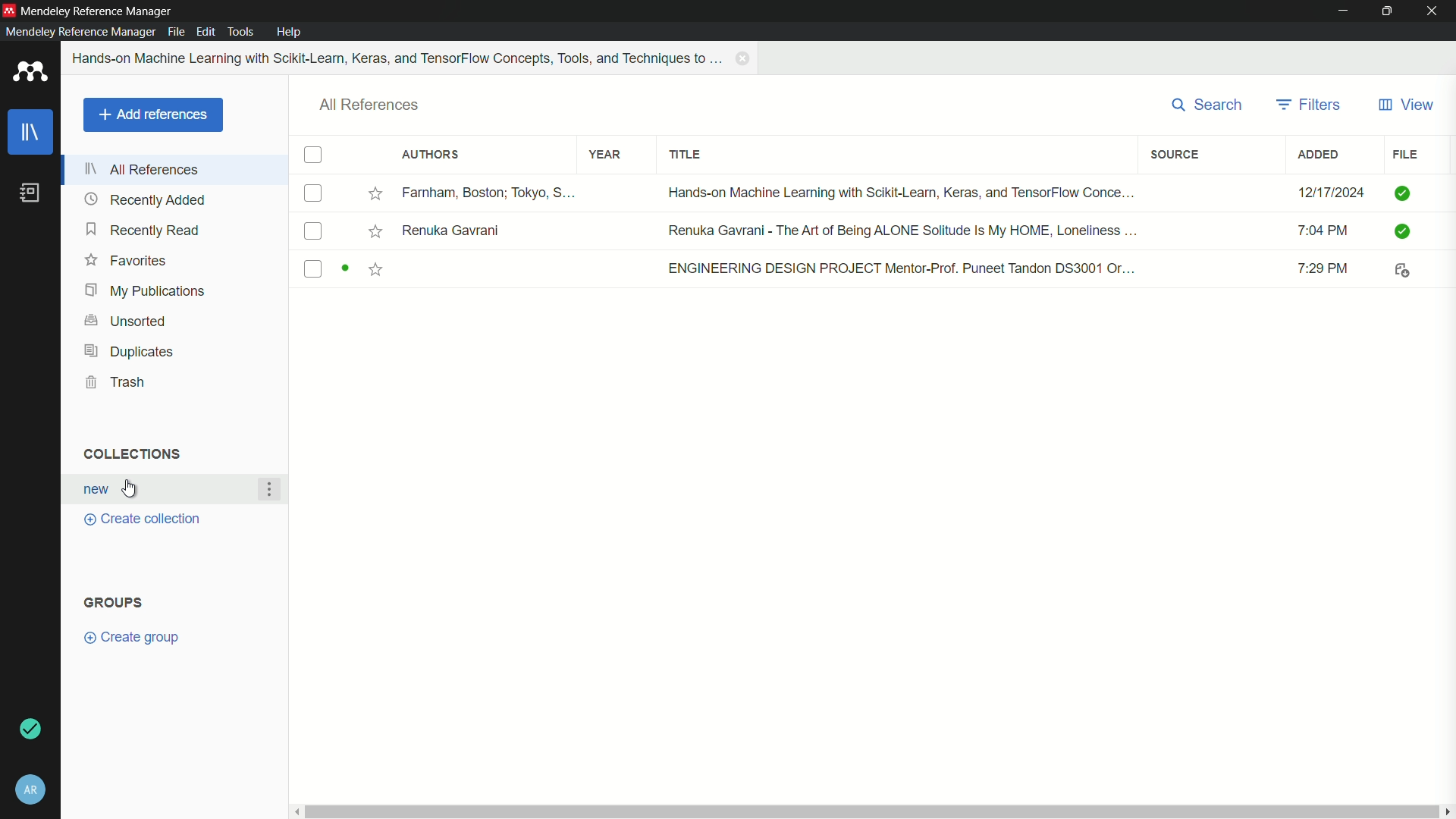 The width and height of the screenshot is (1456, 819). Describe the element at coordinates (206, 32) in the screenshot. I see `edit menu` at that location.